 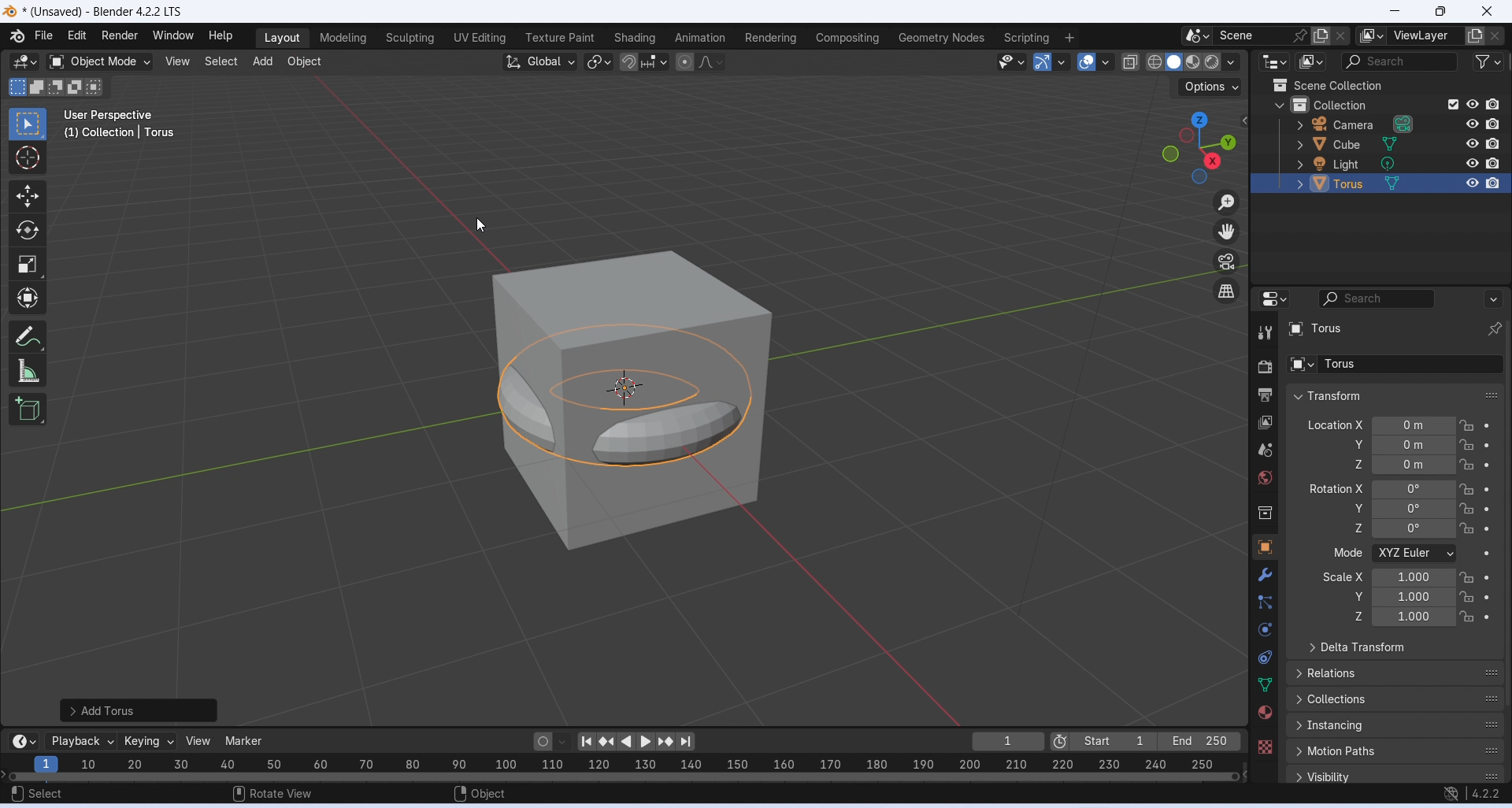 I want to click on View layer, so click(x=1266, y=424).